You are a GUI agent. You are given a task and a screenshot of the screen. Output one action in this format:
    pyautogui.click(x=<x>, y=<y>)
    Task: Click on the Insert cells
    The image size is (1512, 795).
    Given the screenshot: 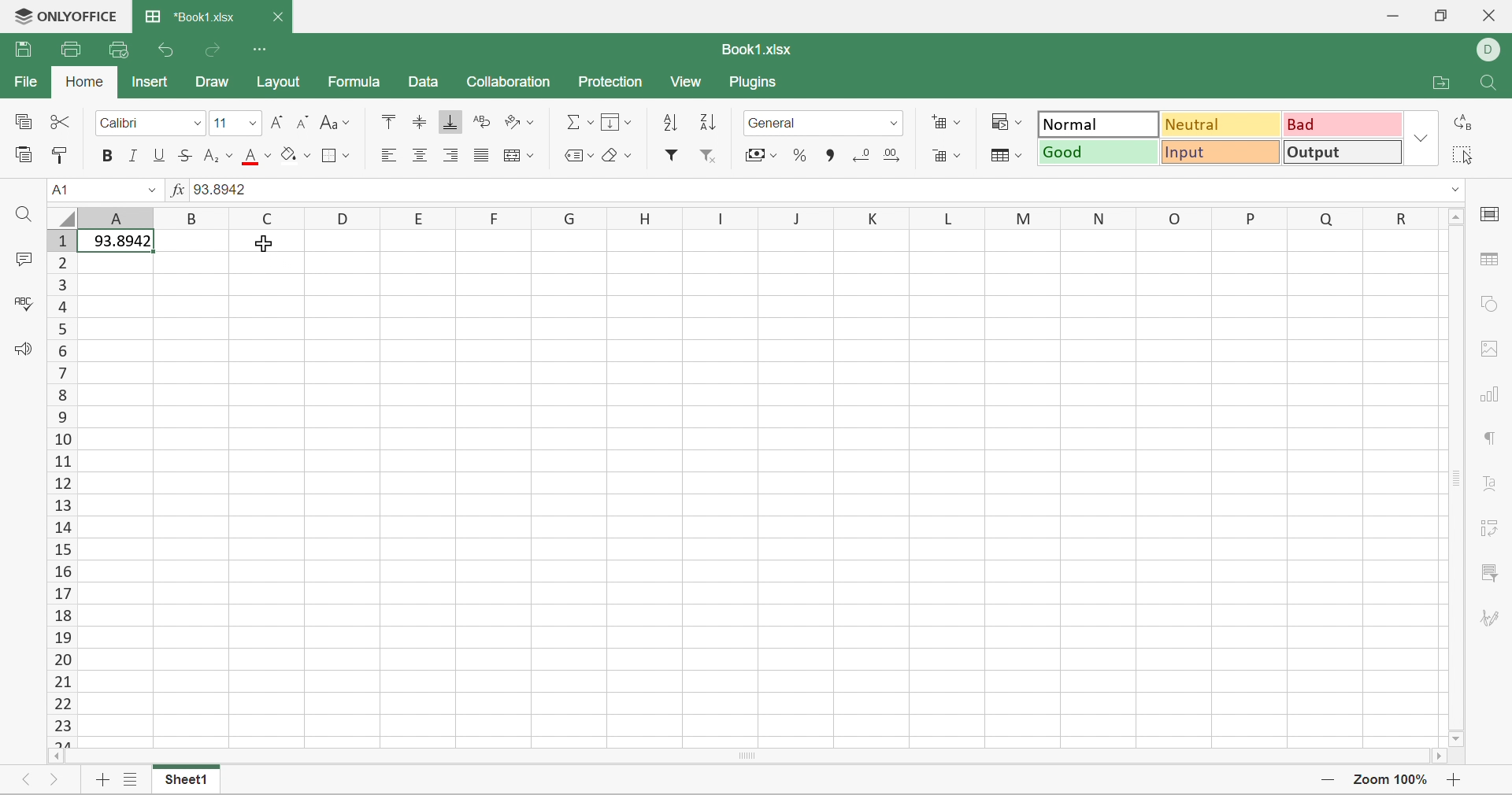 What is the action you would take?
    pyautogui.click(x=945, y=120)
    